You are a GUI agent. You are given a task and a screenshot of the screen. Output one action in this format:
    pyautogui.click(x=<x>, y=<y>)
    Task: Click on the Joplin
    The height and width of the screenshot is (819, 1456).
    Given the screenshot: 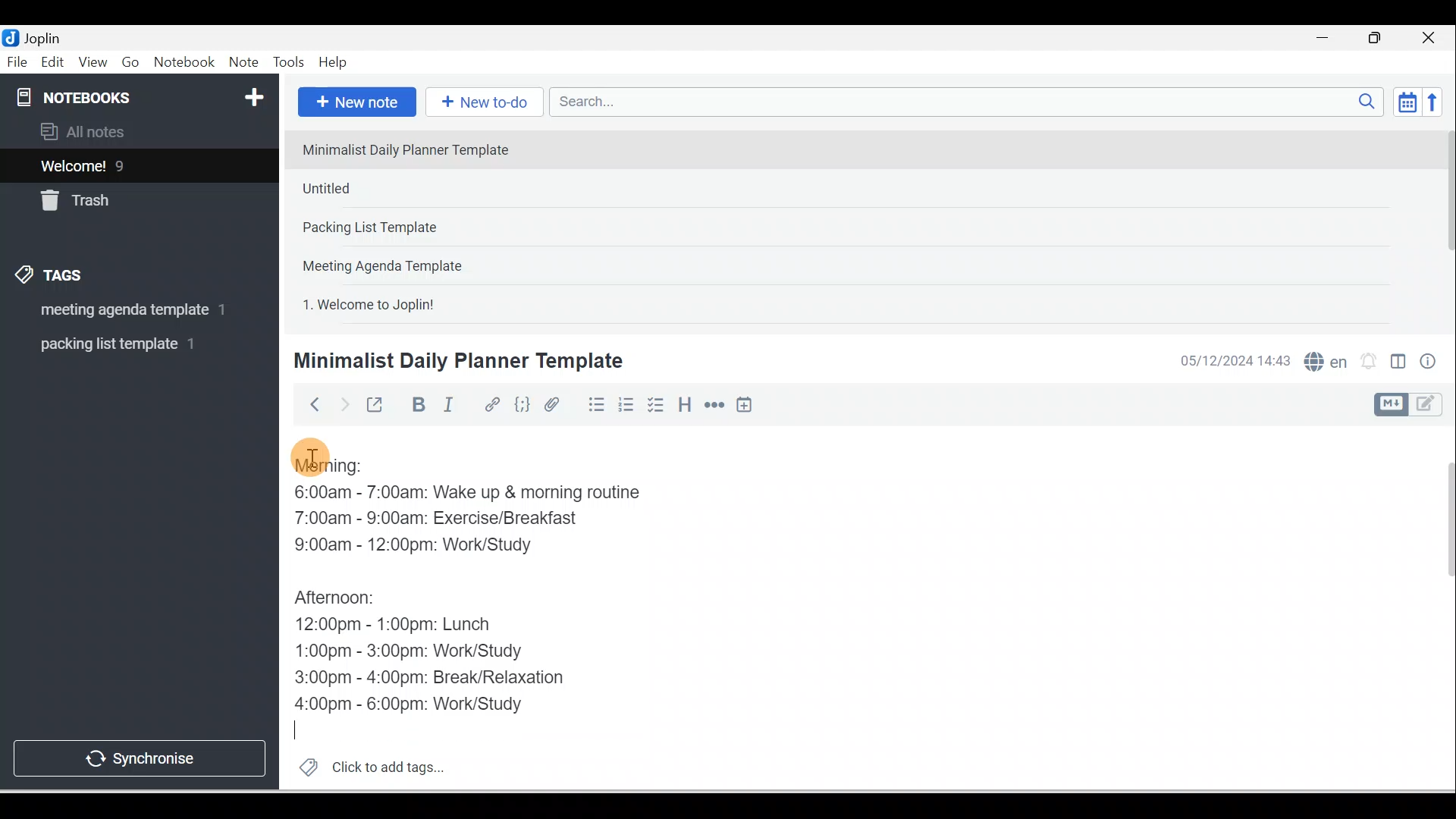 What is the action you would take?
    pyautogui.click(x=46, y=36)
    